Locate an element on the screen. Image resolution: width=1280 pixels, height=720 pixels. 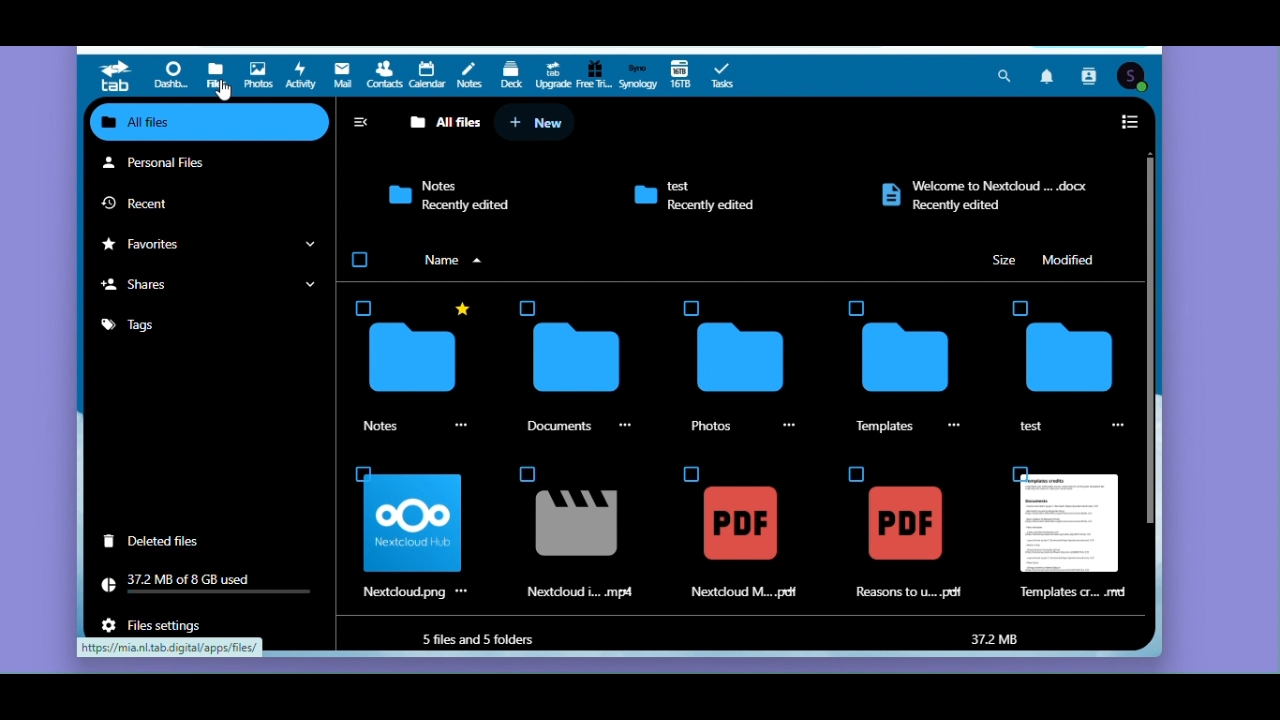
Shares is located at coordinates (203, 285).